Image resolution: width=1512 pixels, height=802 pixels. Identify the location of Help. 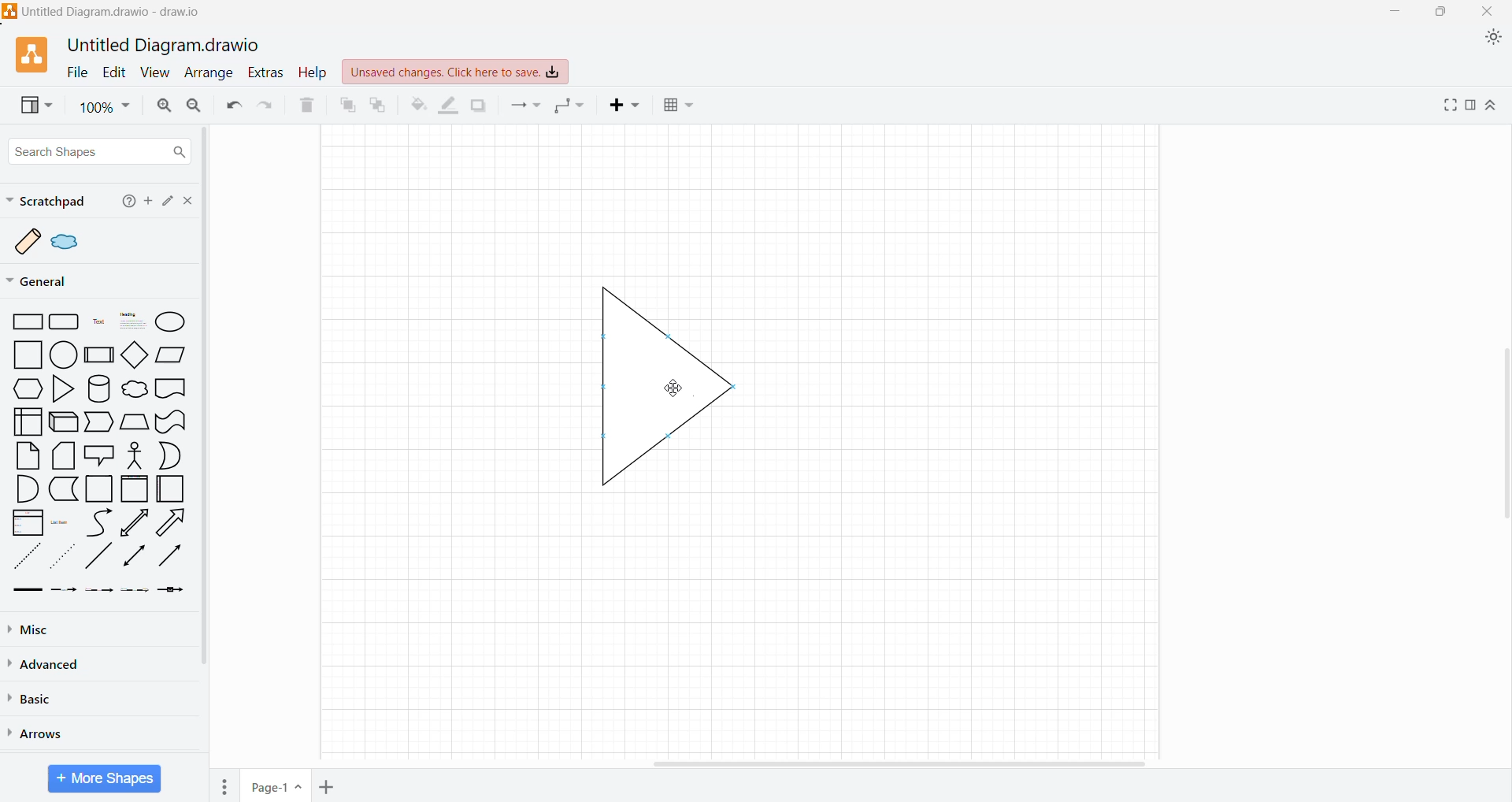
(126, 202).